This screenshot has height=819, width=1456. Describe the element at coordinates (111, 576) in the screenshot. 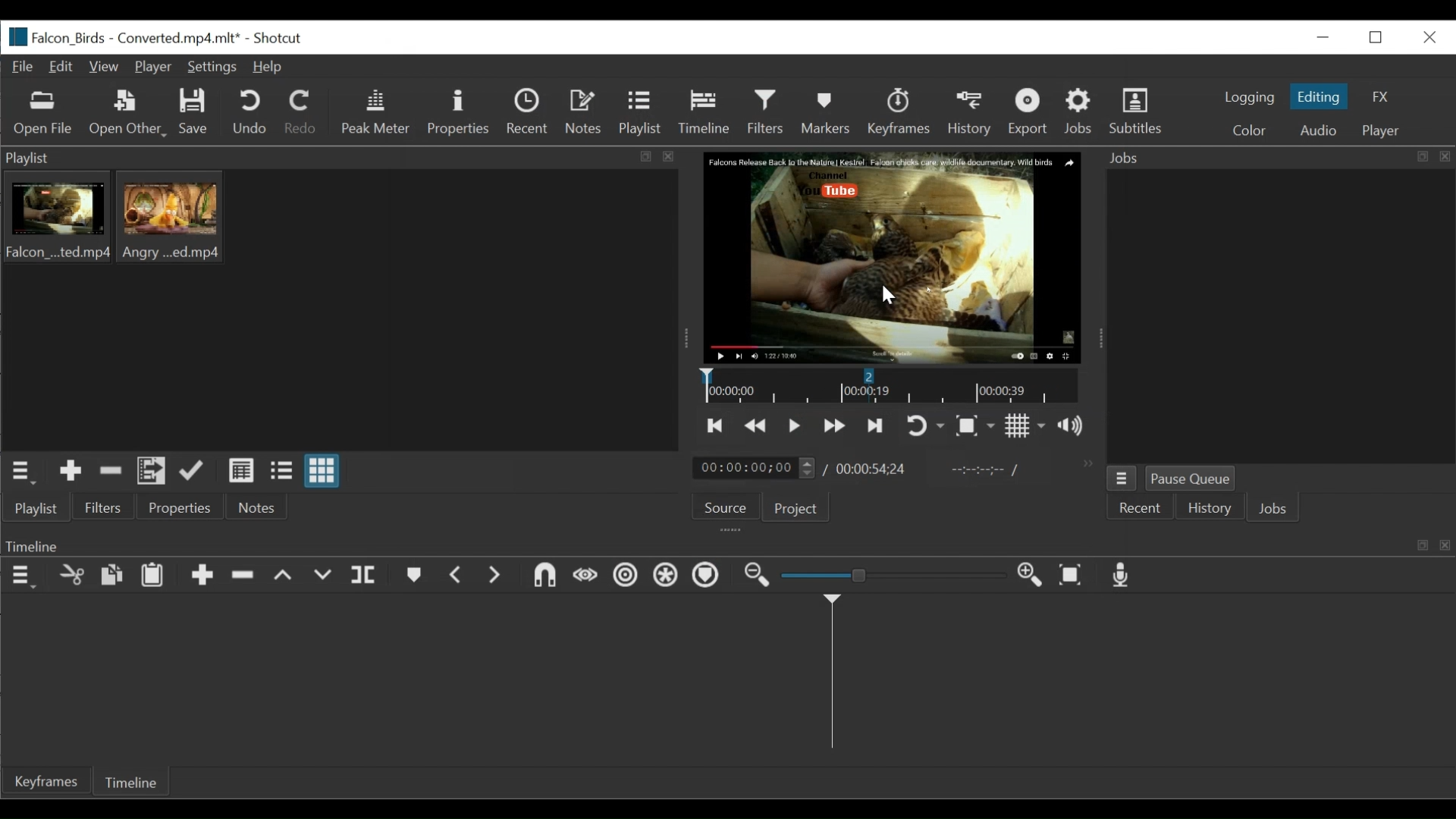

I see `Copy` at that location.